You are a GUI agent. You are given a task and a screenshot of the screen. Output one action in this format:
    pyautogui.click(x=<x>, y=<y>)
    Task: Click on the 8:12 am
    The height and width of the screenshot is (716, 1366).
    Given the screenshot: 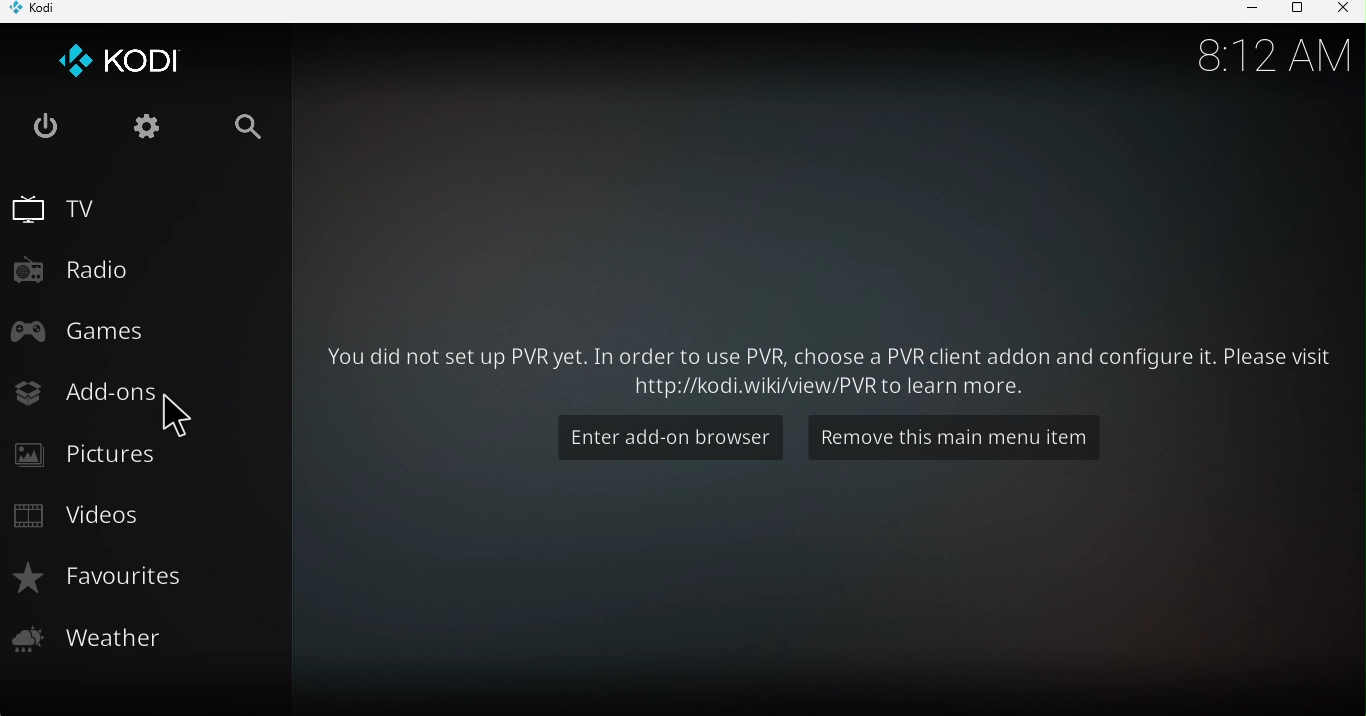 What is the action you would take?
    pyautogui.click(x=1271, y=53)
    